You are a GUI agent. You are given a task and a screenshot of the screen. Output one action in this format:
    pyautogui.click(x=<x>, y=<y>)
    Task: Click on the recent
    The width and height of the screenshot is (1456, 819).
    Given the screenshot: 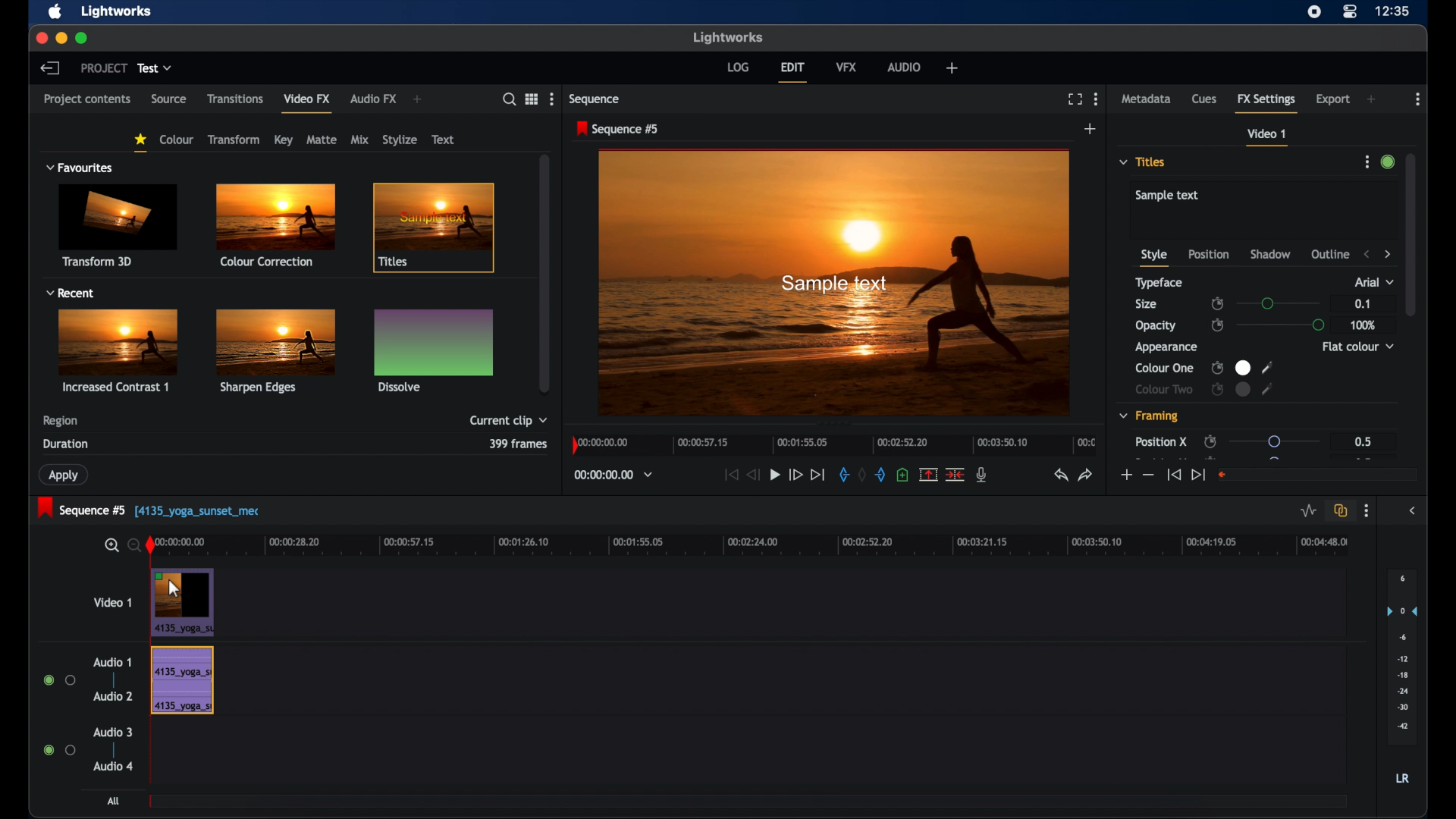 What is the action you would take?
    pyautogui.click(x=70, y=293)
    